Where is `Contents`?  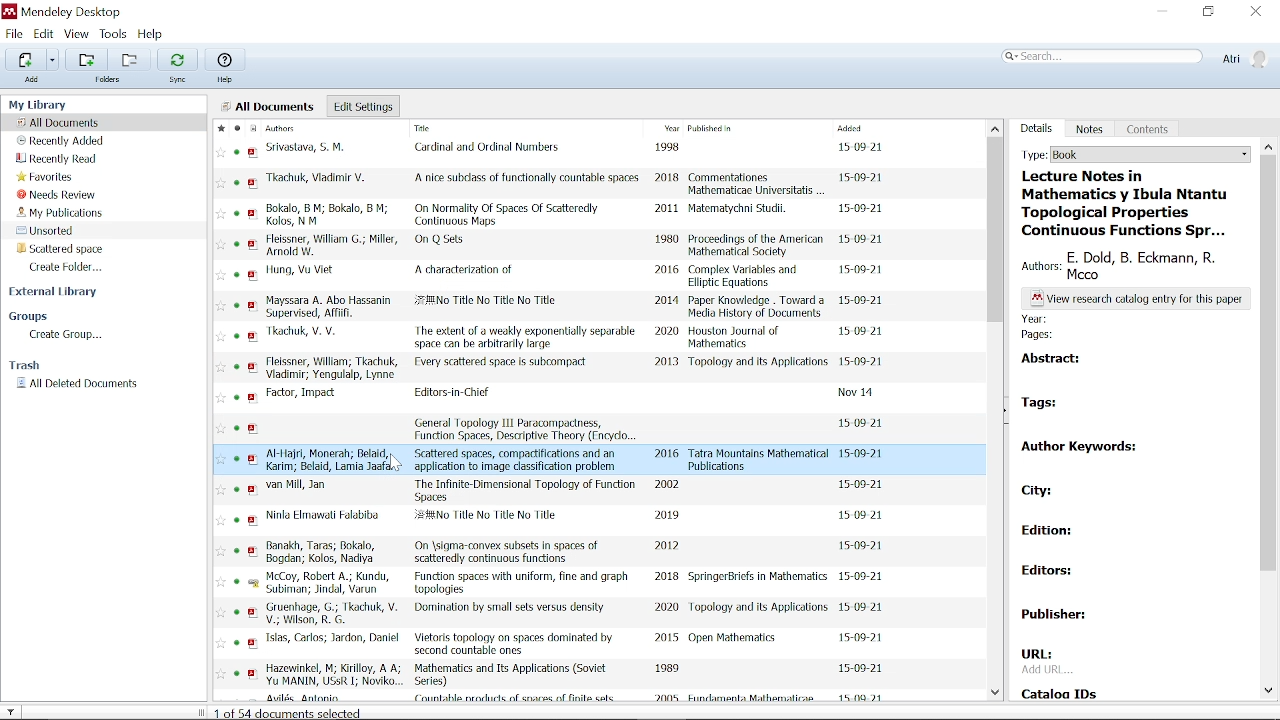
Contents is located at coordinates (1149, 128).